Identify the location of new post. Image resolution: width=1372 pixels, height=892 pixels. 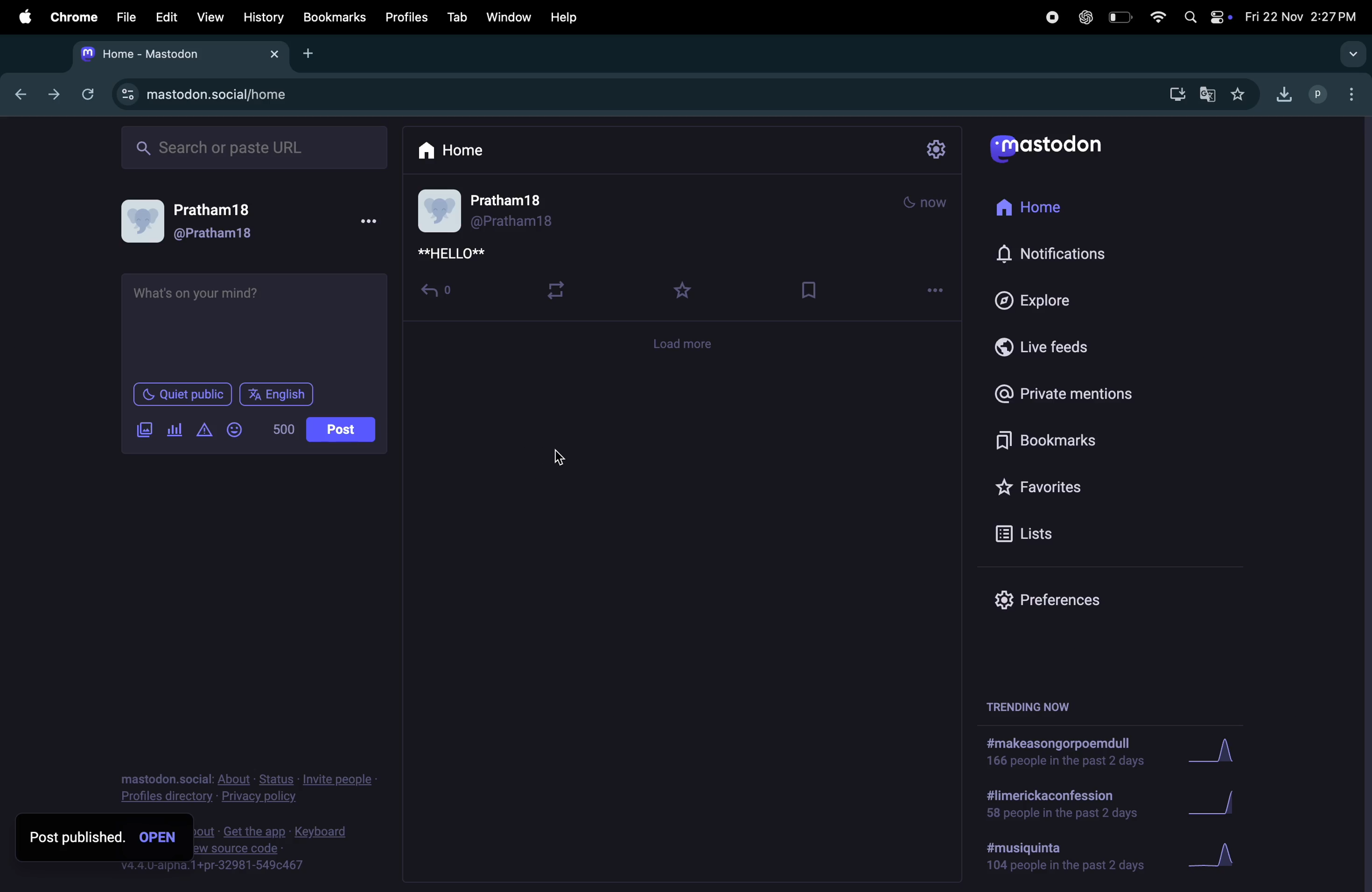
(468, 253).